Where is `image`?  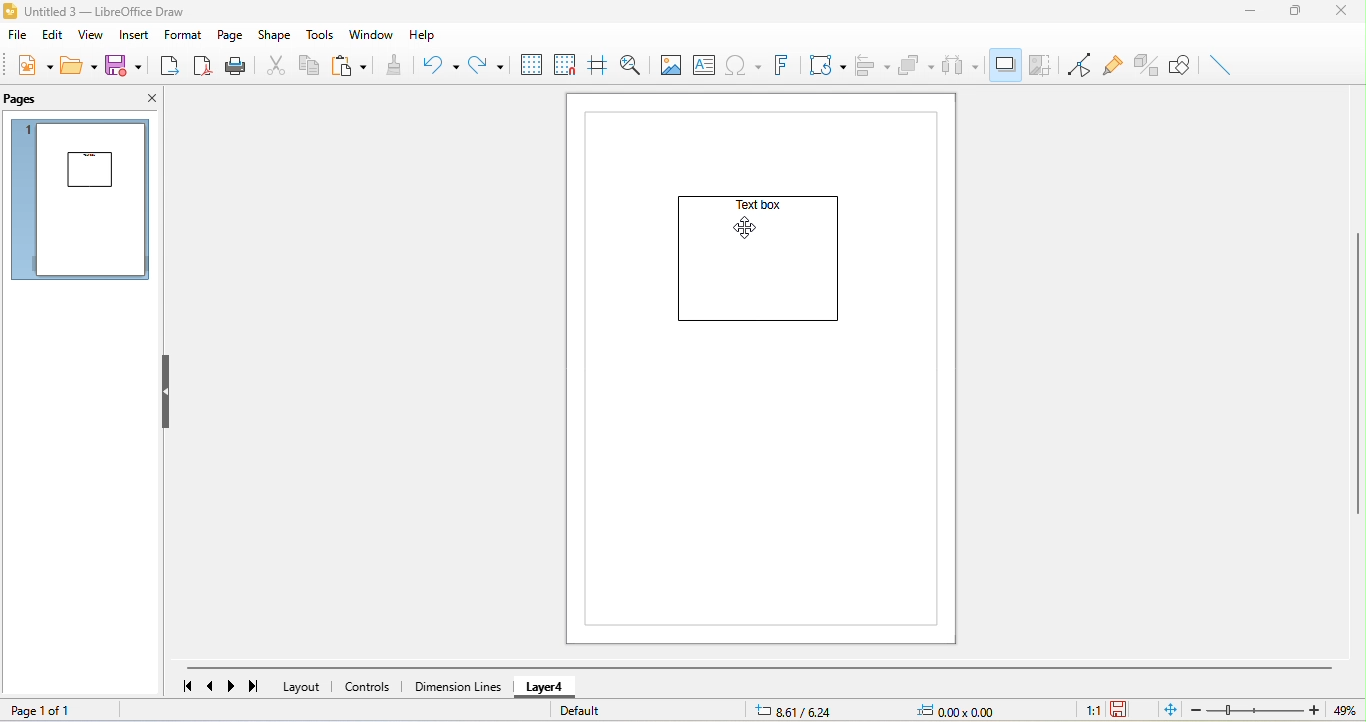
image is located at coordinates (668, 64).